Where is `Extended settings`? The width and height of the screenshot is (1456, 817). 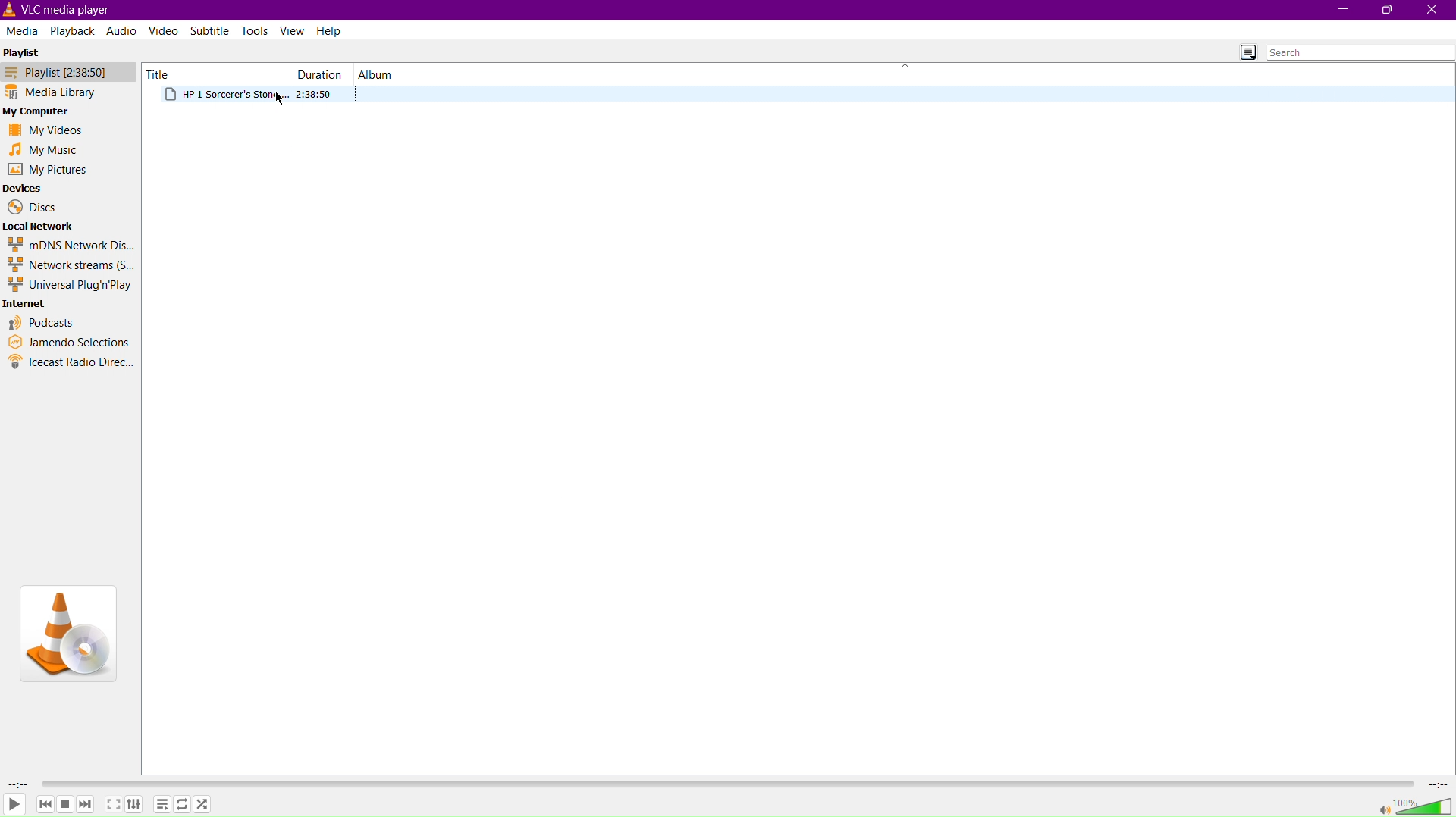
Extended settings is located at coordinates (134, 803).